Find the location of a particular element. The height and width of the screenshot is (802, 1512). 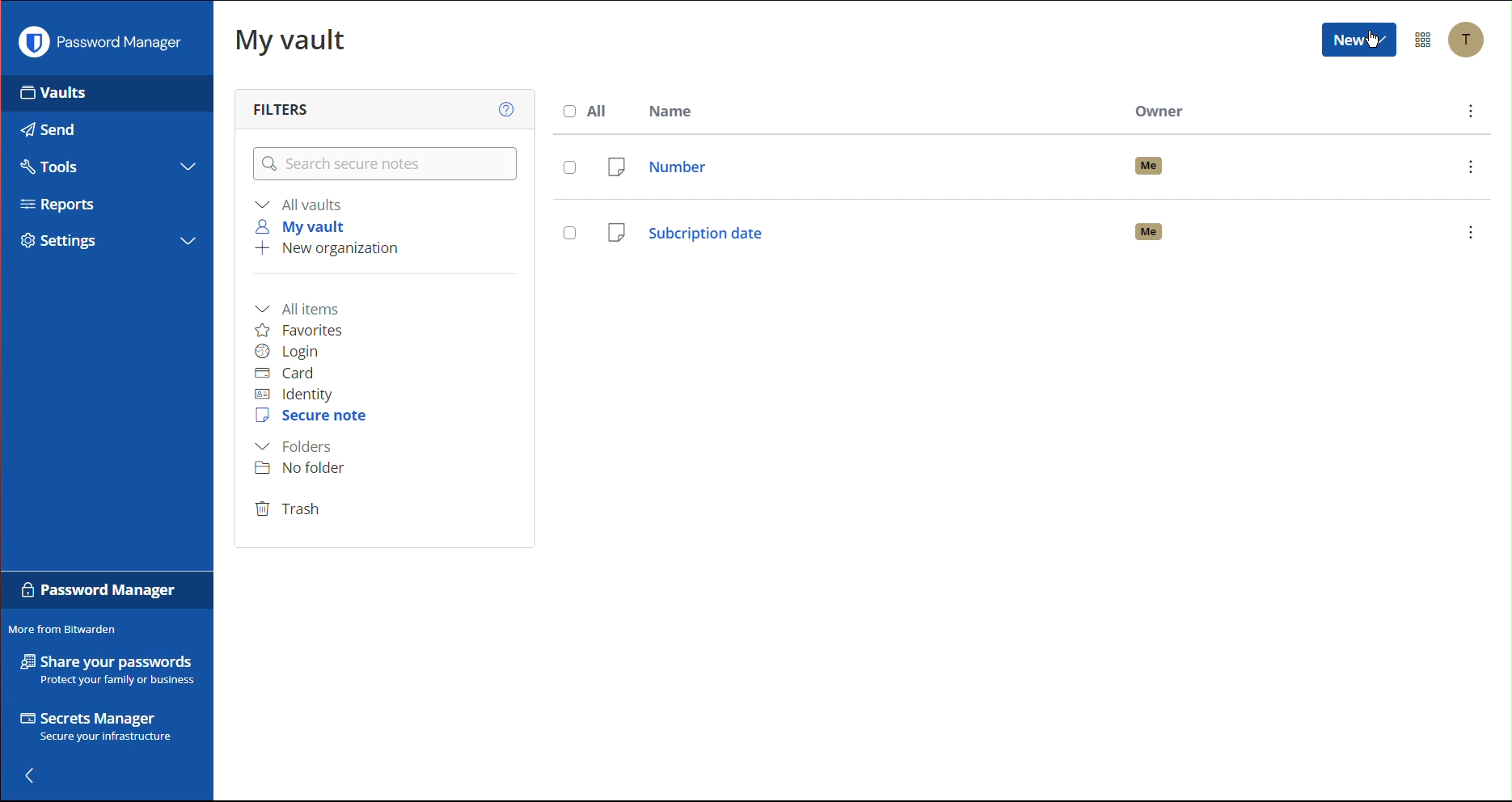

My vault is located at coordinates (305, 226).